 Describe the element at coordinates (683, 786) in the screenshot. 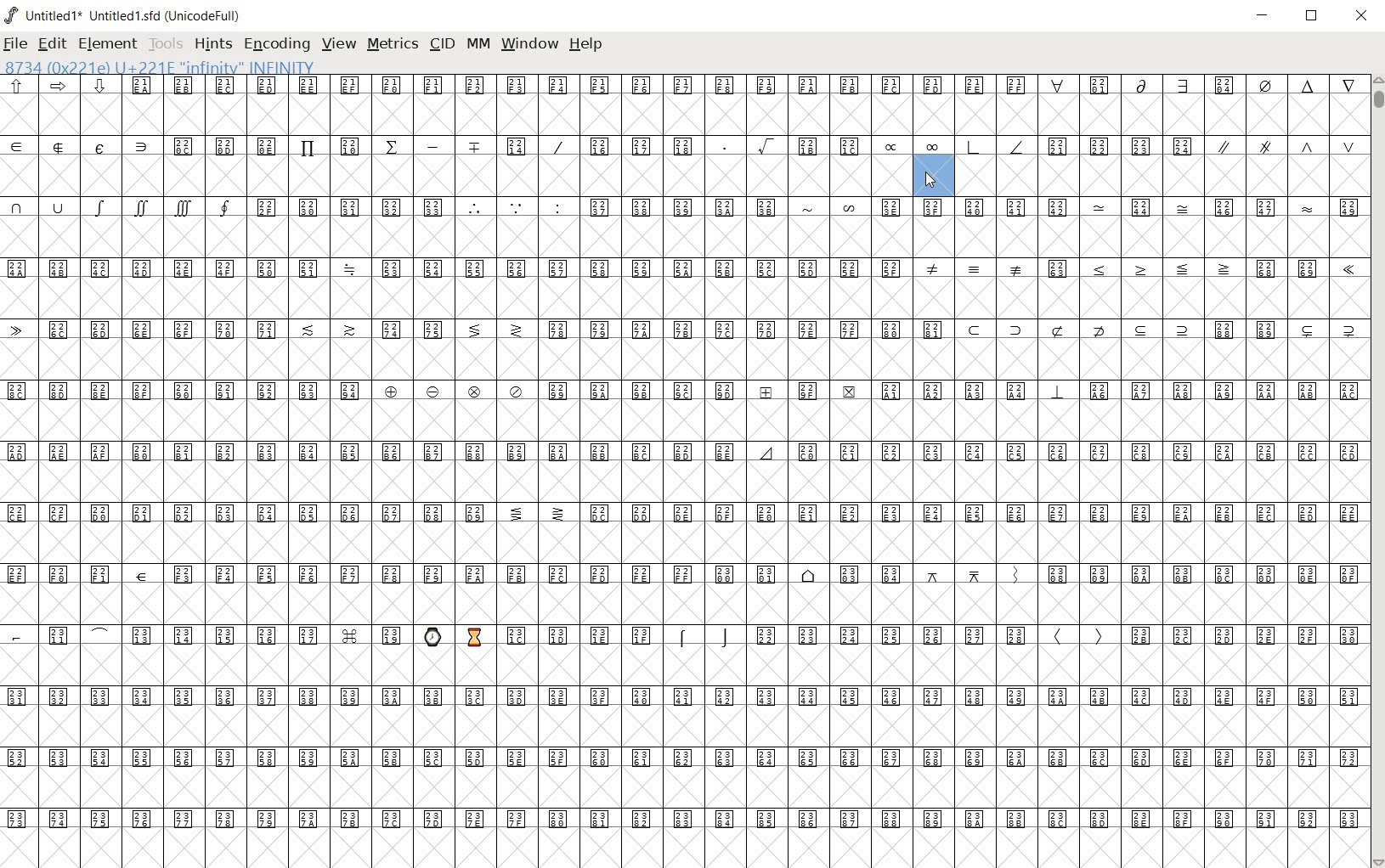

I see `empty glyph slots` at that location.